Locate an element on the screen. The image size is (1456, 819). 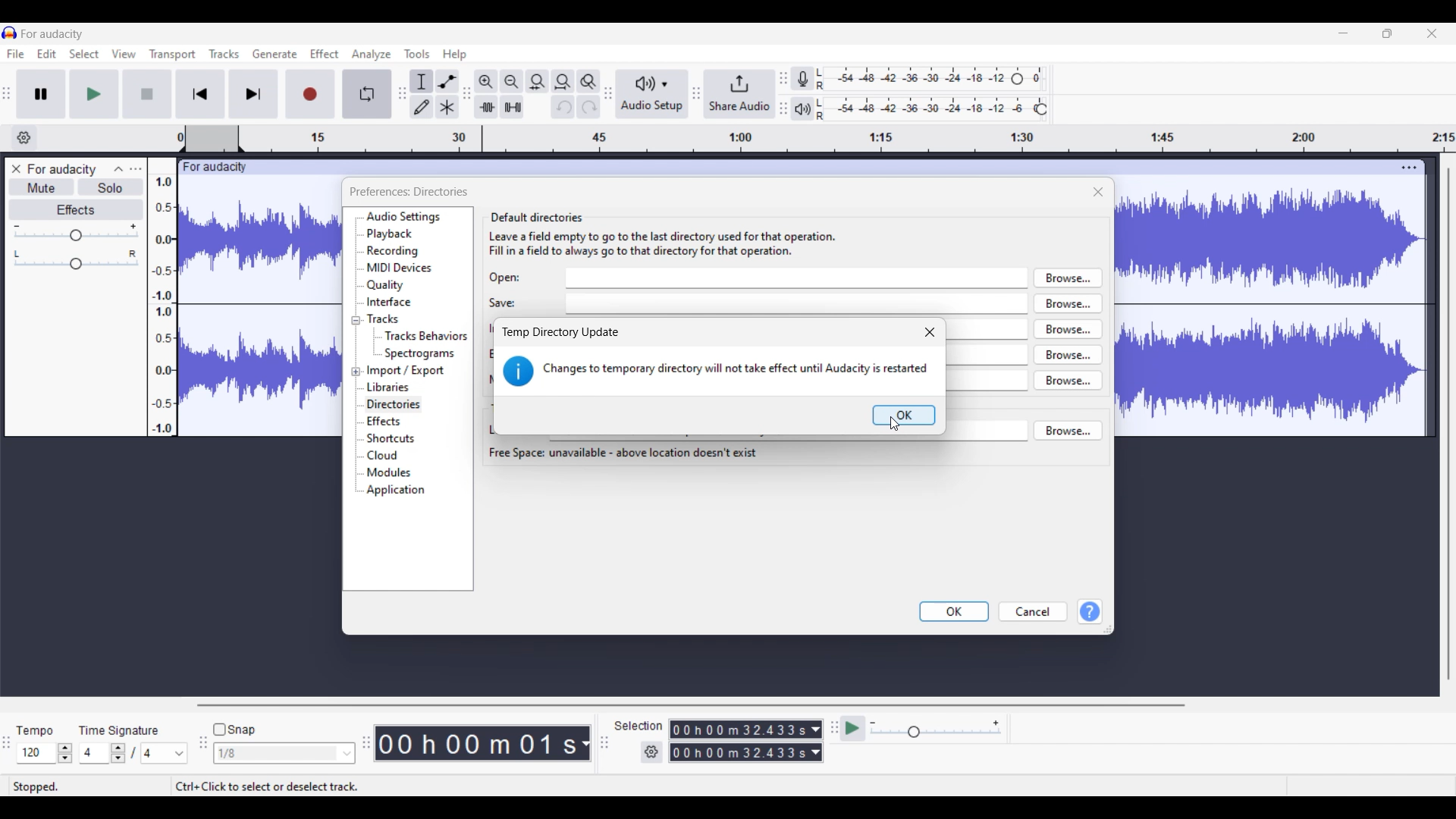
Quality is located at coordinates (386, 285).